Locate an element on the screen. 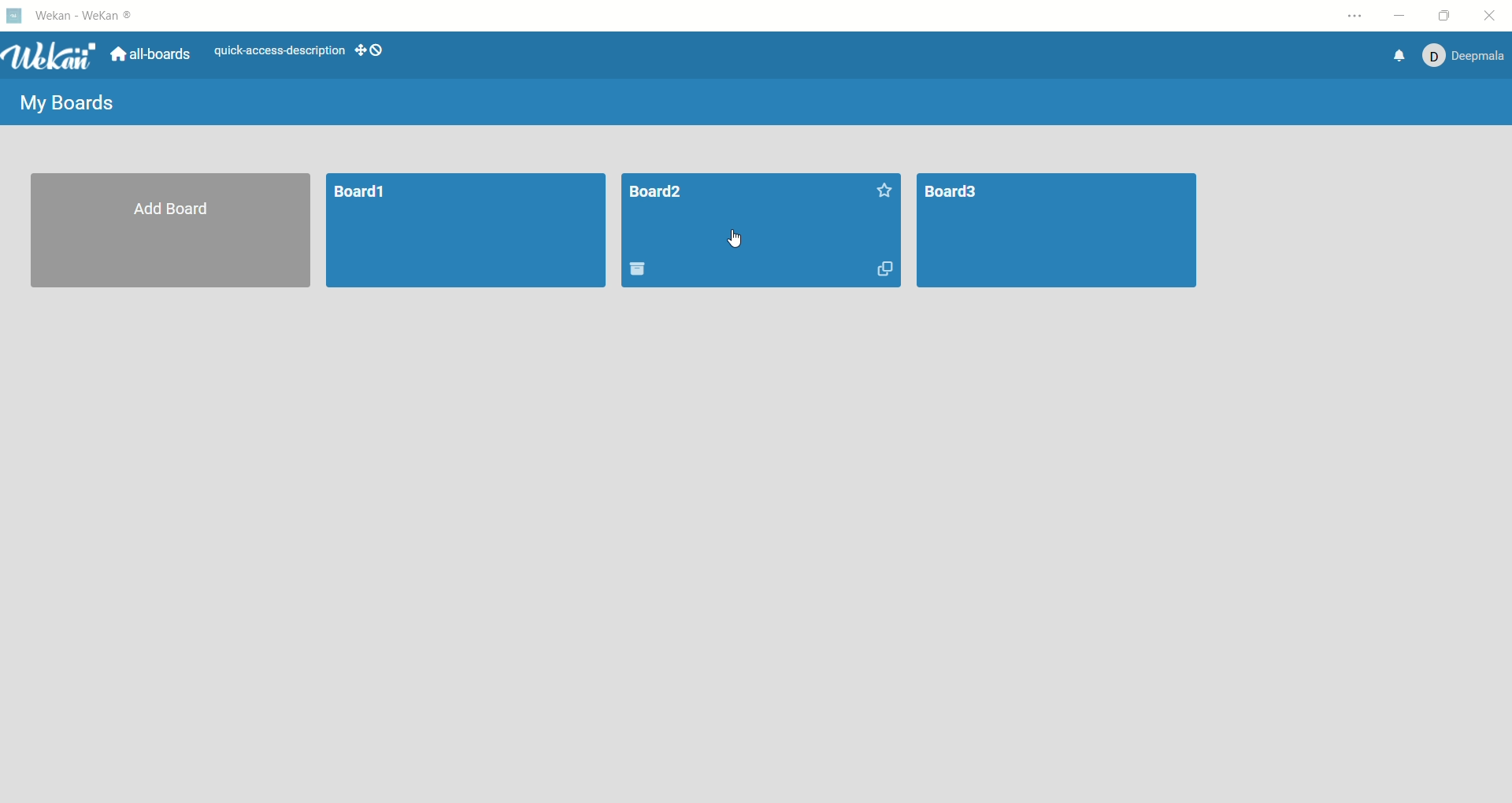 This screenshot has height=803, width=1512. logo is located at coordinates (16, 15).